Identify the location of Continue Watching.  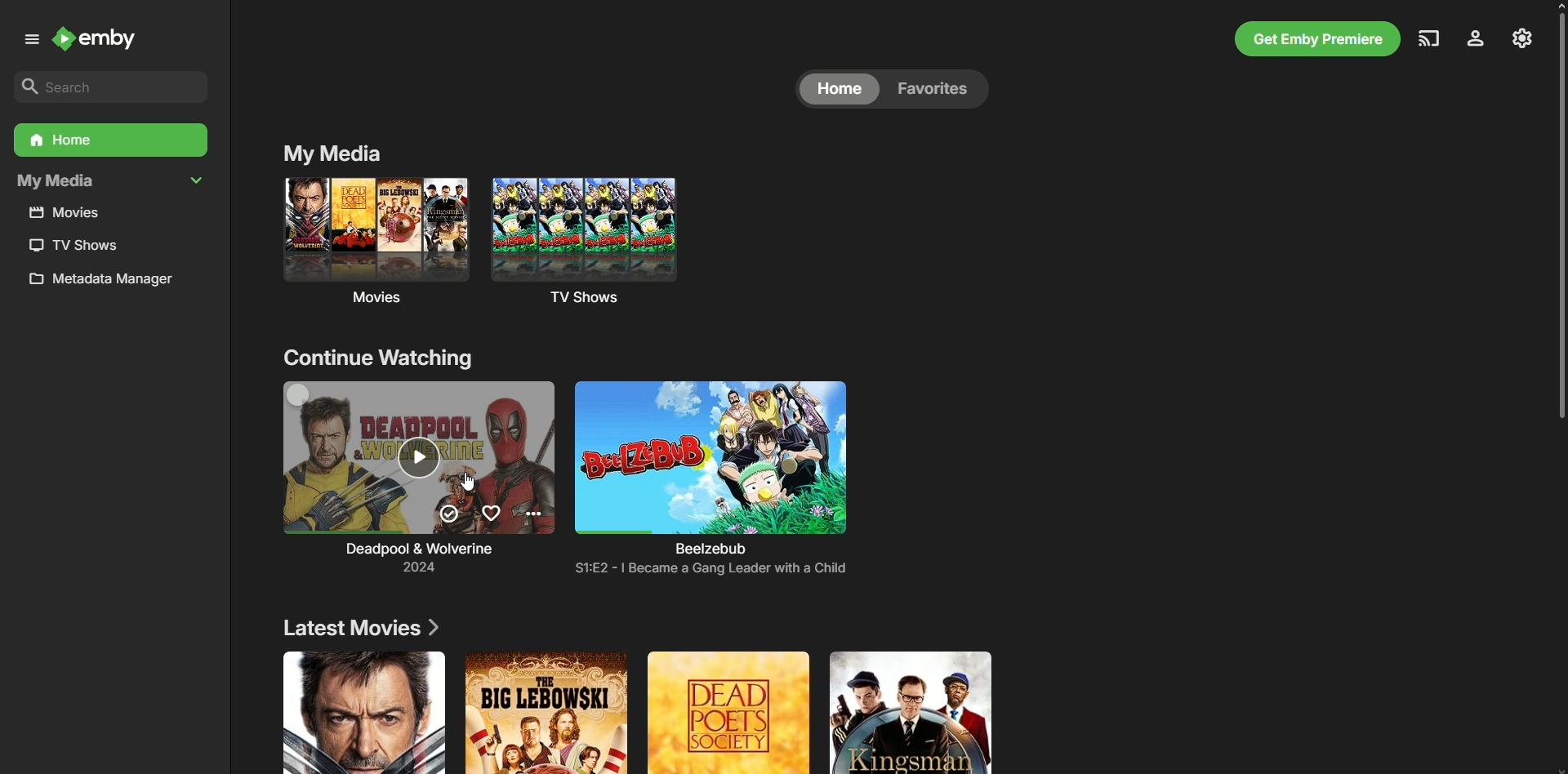
(385, 363).